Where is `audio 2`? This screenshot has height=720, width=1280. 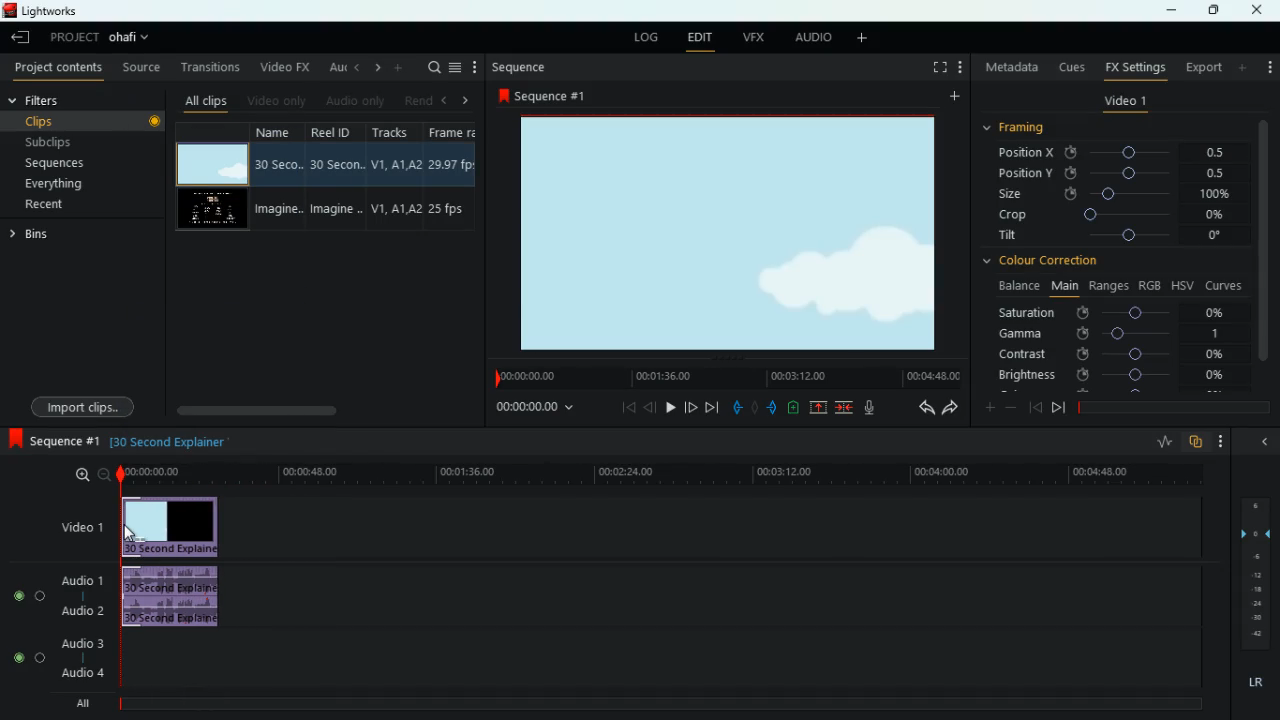
audio 2 is located at coordinates (78, 610).